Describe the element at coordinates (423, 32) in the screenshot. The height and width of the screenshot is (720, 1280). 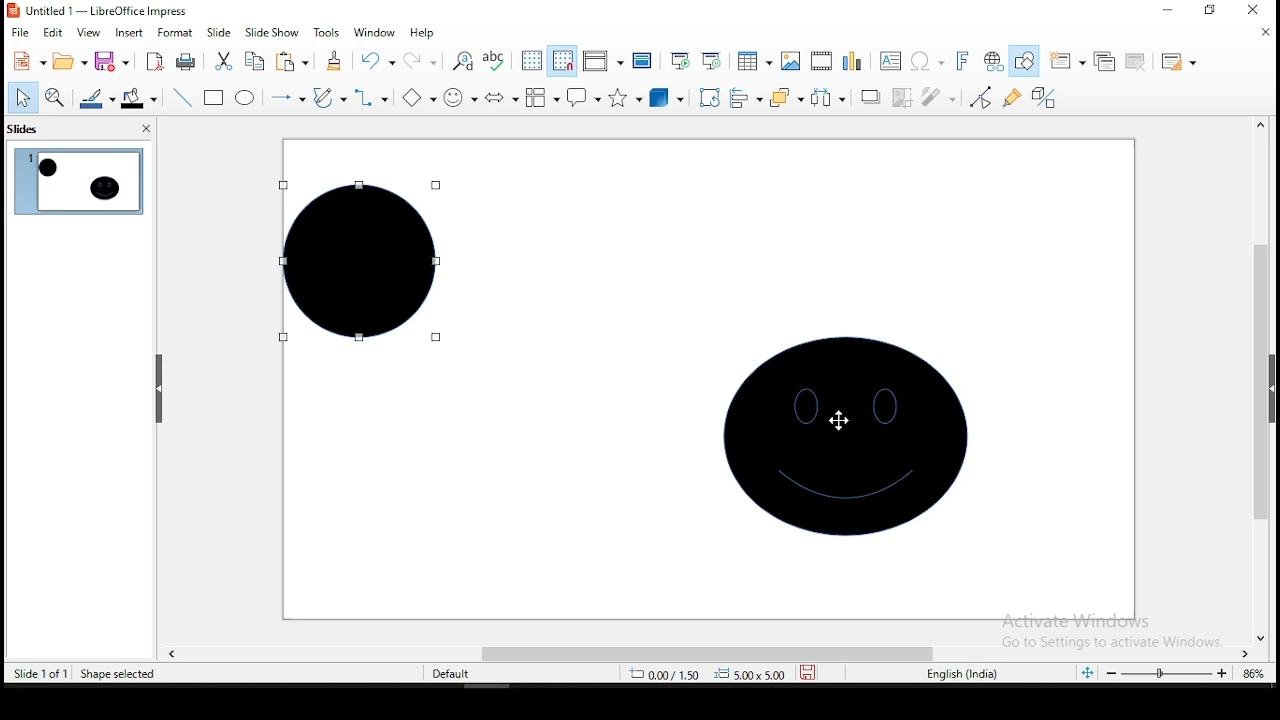
I see `help` at that location.